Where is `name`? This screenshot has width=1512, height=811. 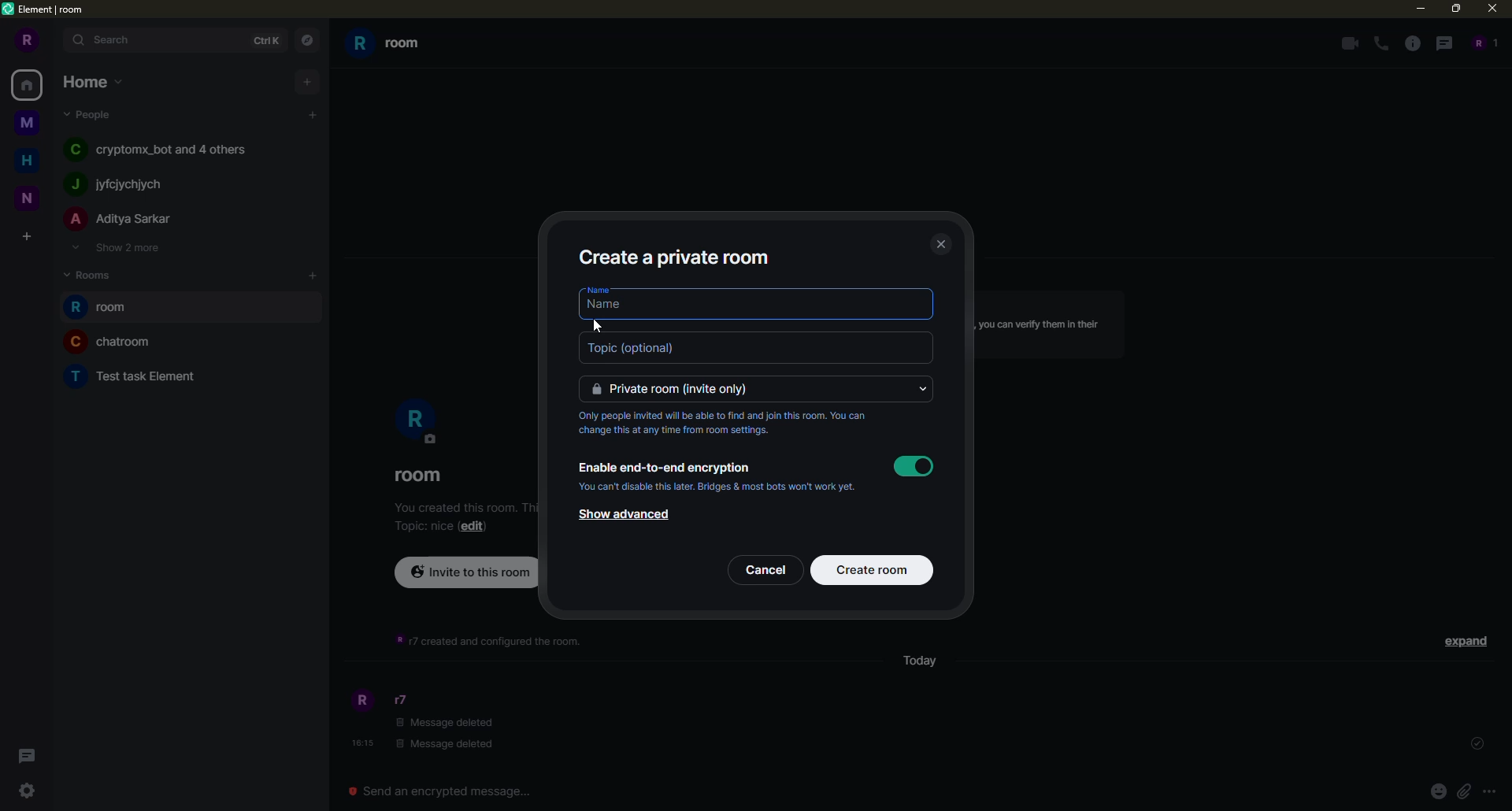 name is located at coordinates (600, 290).